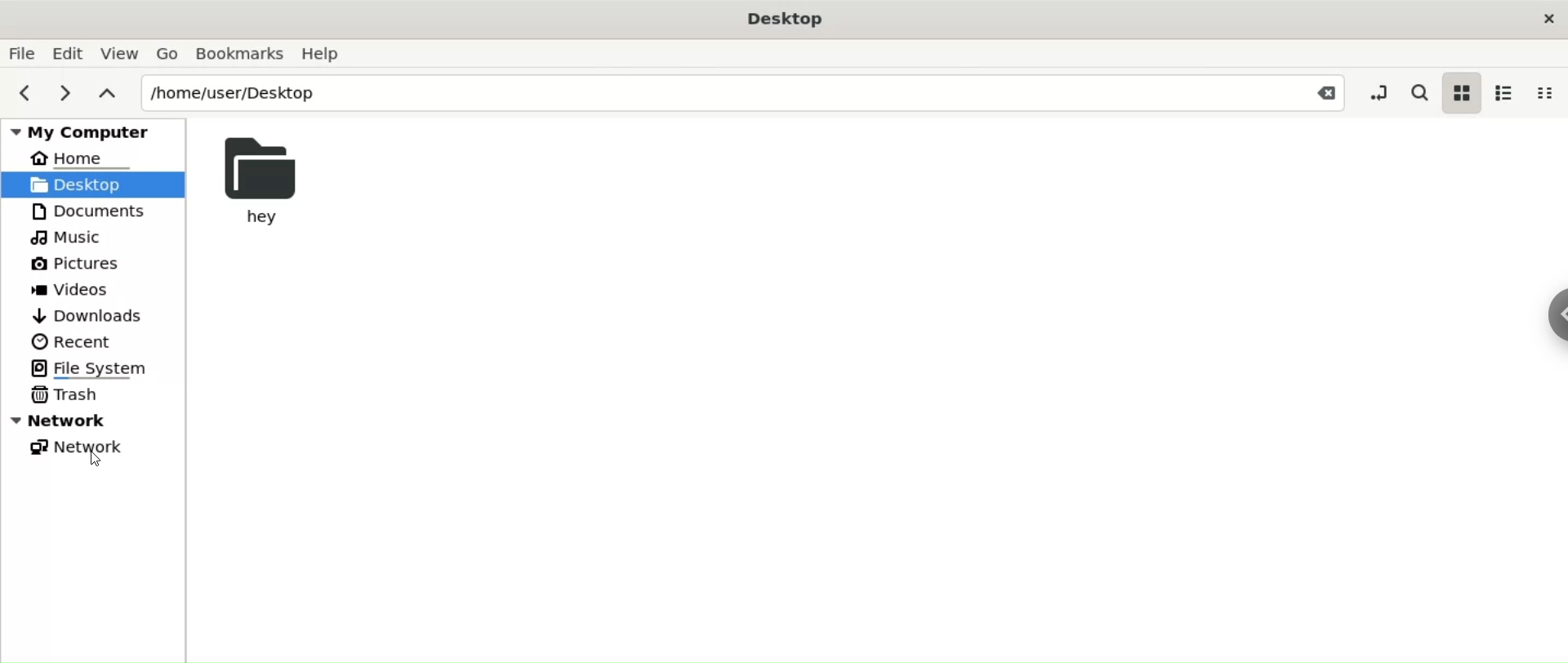 The height and width of the screenshot is (663, 1568). What do you see at coordinates (1536, 16) in the screenshot?
I see `close` at bounding box center [1536, 16].